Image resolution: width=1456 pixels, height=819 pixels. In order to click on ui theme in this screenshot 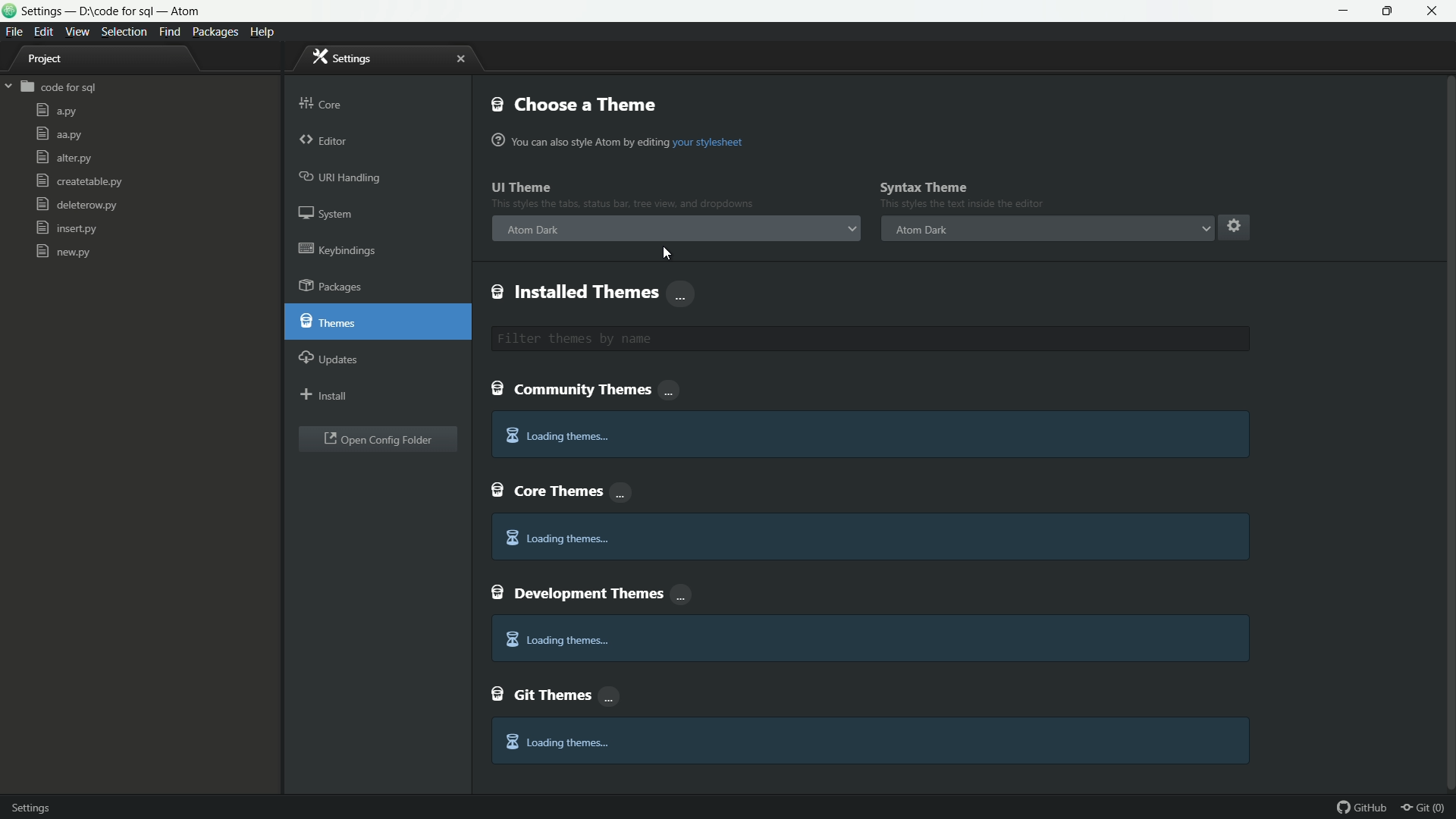, I will do `click(522, 187)`.